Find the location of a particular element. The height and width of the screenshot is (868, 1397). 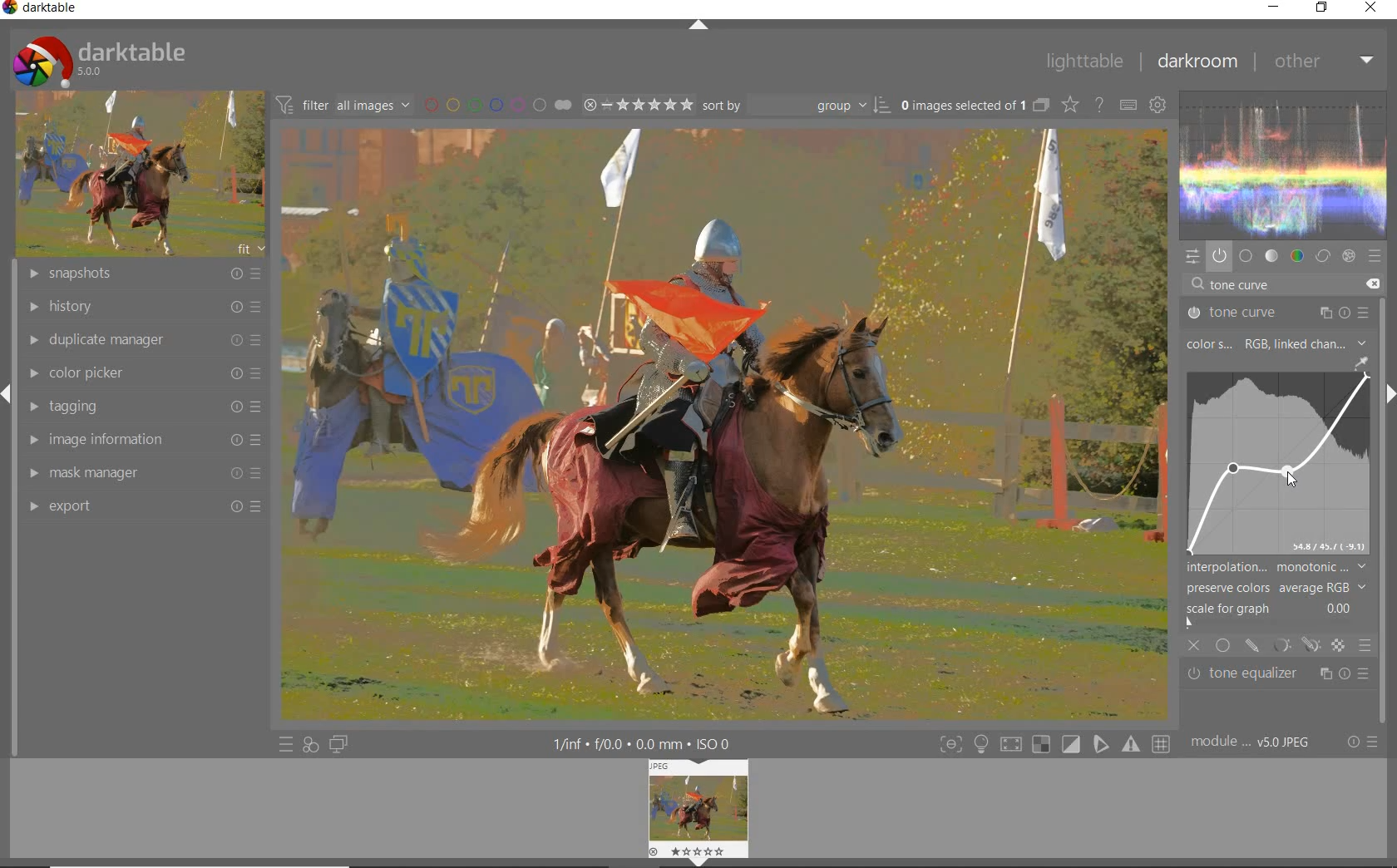

effect is located at coordinates (1347, 256).